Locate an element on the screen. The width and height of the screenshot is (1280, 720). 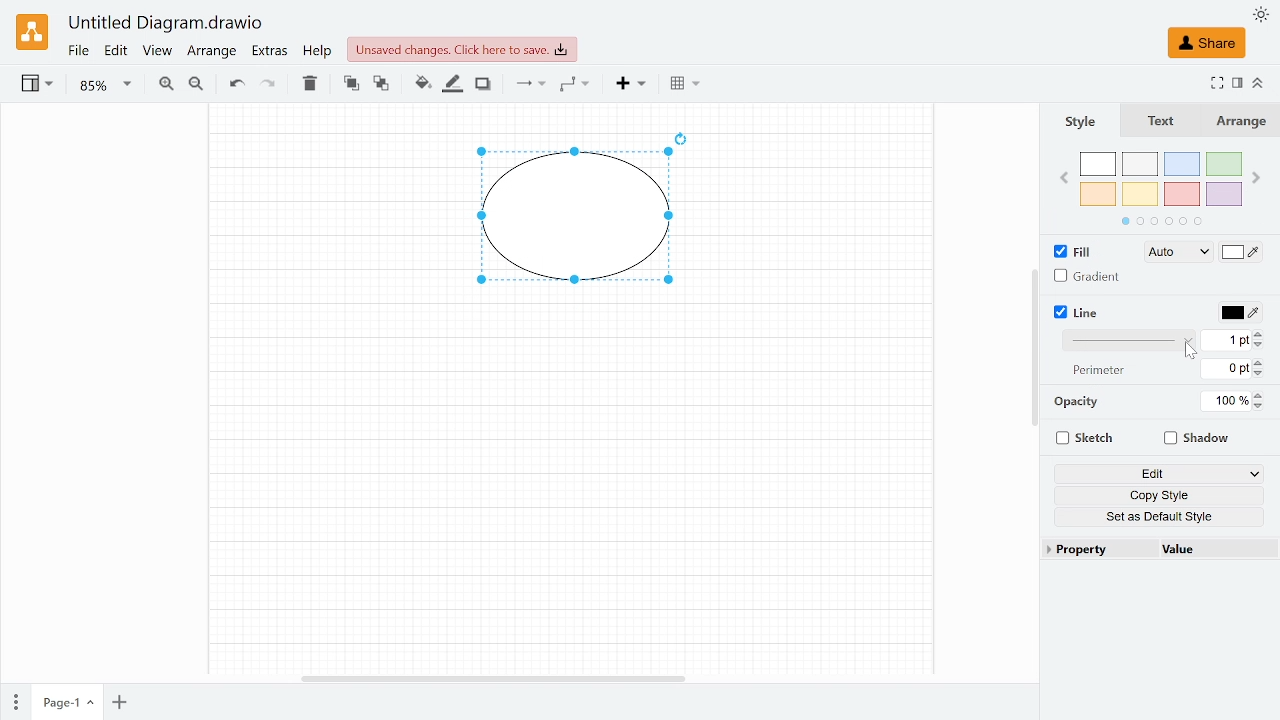
Add page is located at coordinates (122, 703).